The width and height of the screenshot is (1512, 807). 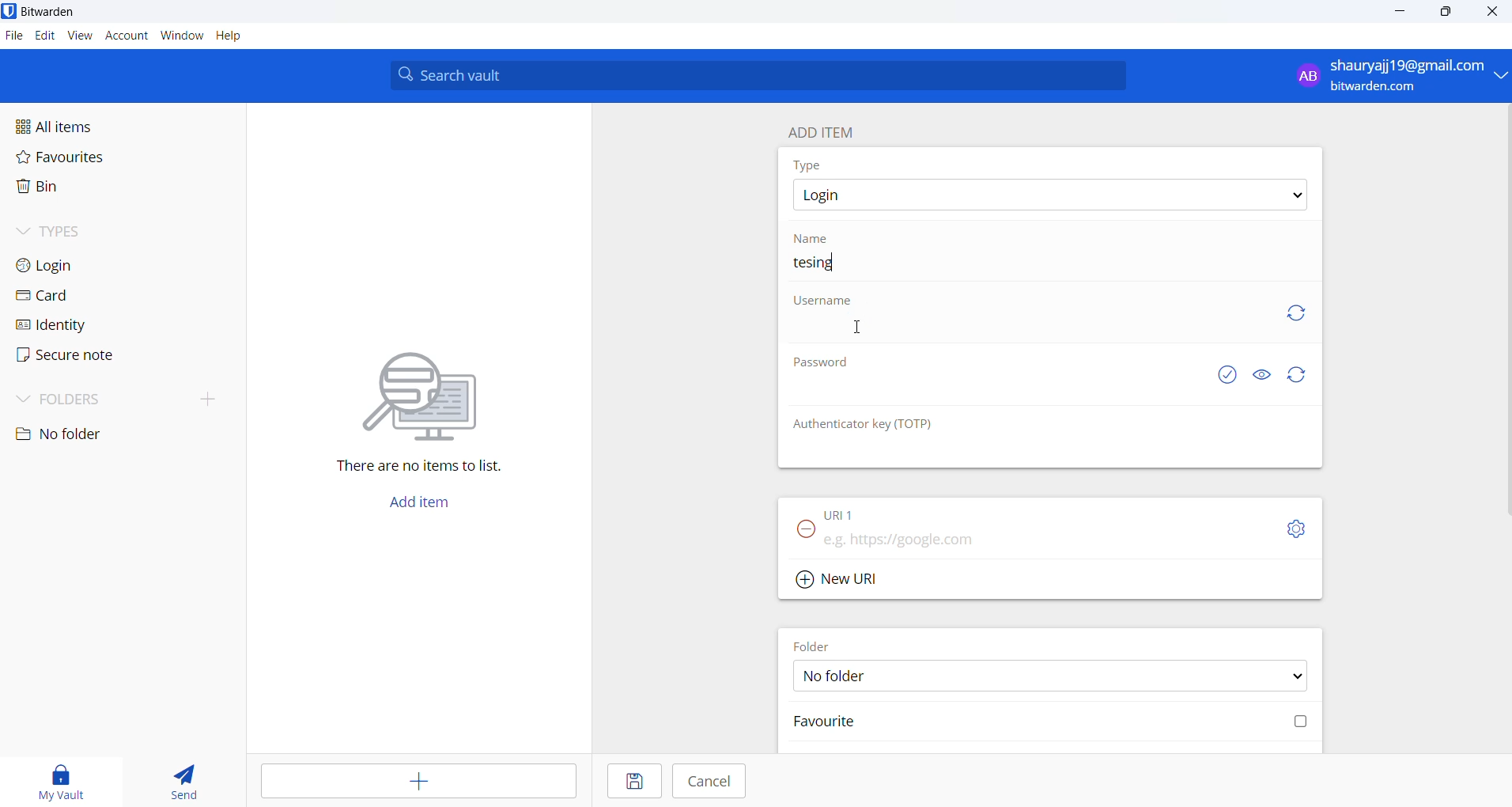 I want to click on type options, so click(x=1054, y=196).